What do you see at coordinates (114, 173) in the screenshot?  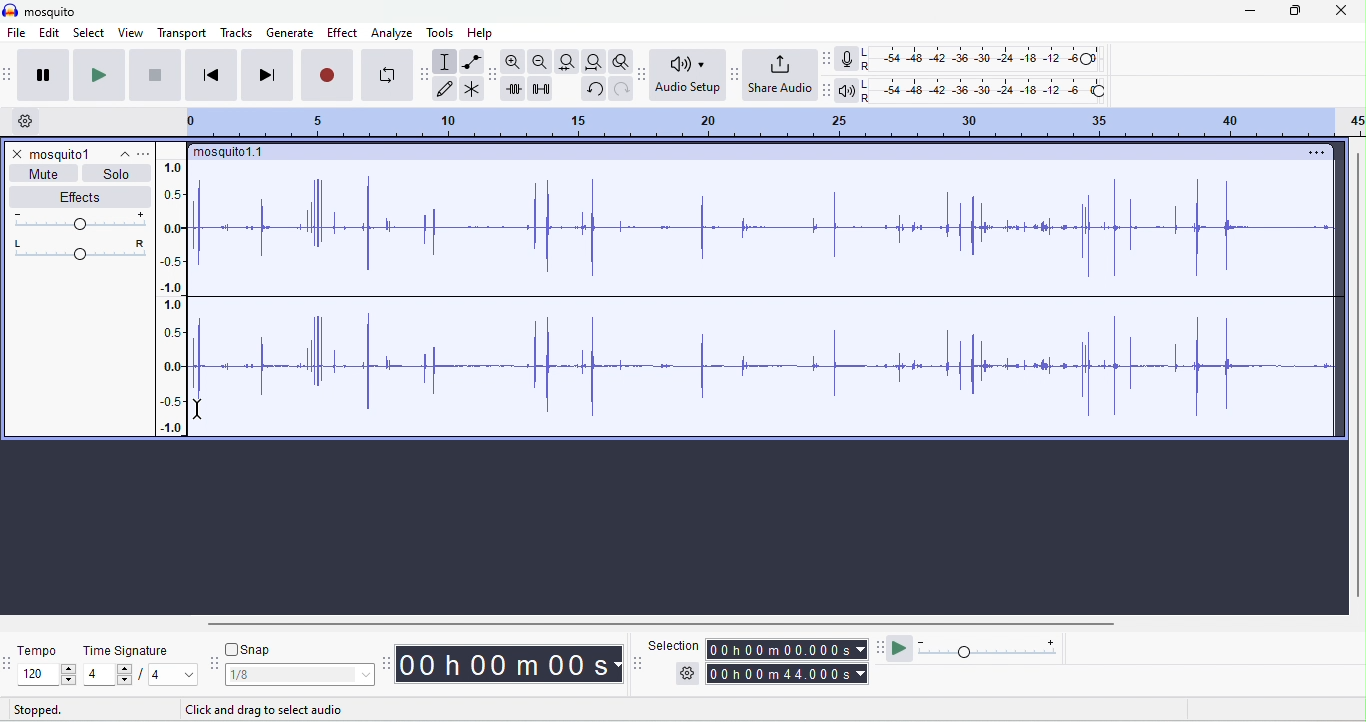 I see `solo` at bounding box center [114, 173].